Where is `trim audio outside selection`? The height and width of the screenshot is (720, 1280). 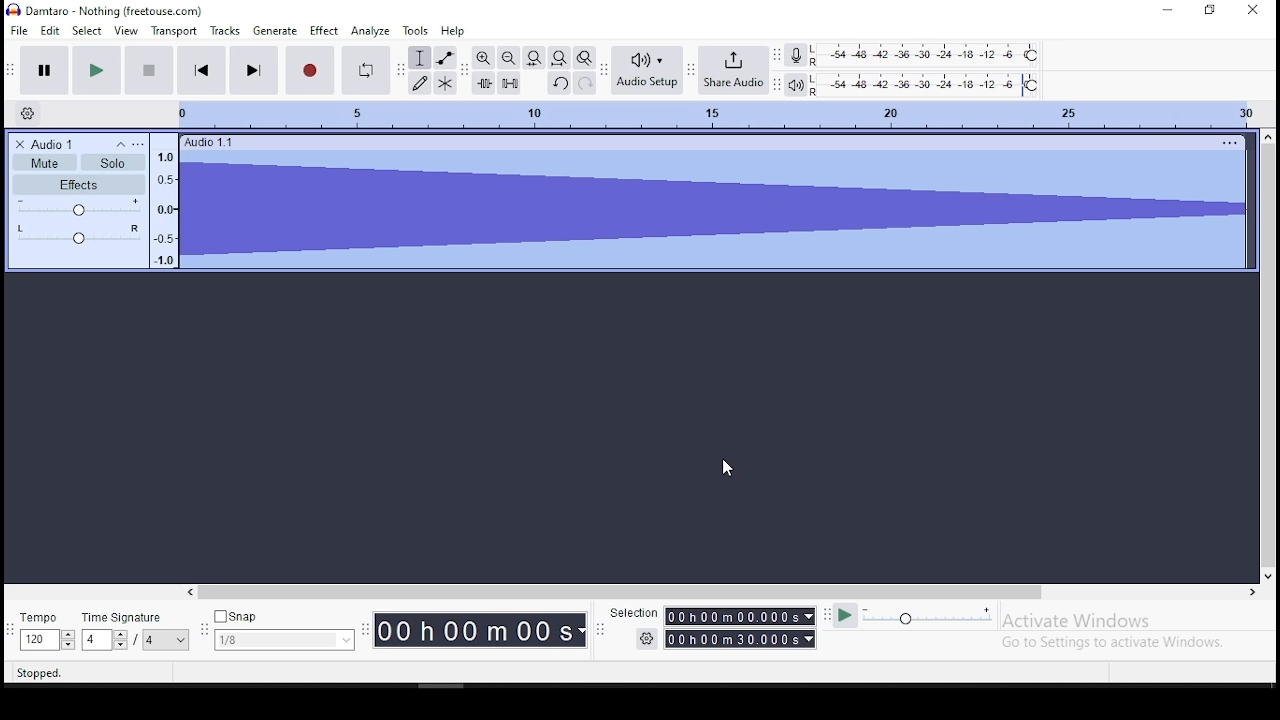 trim audio outside selection is located at coordinates (483, 83).